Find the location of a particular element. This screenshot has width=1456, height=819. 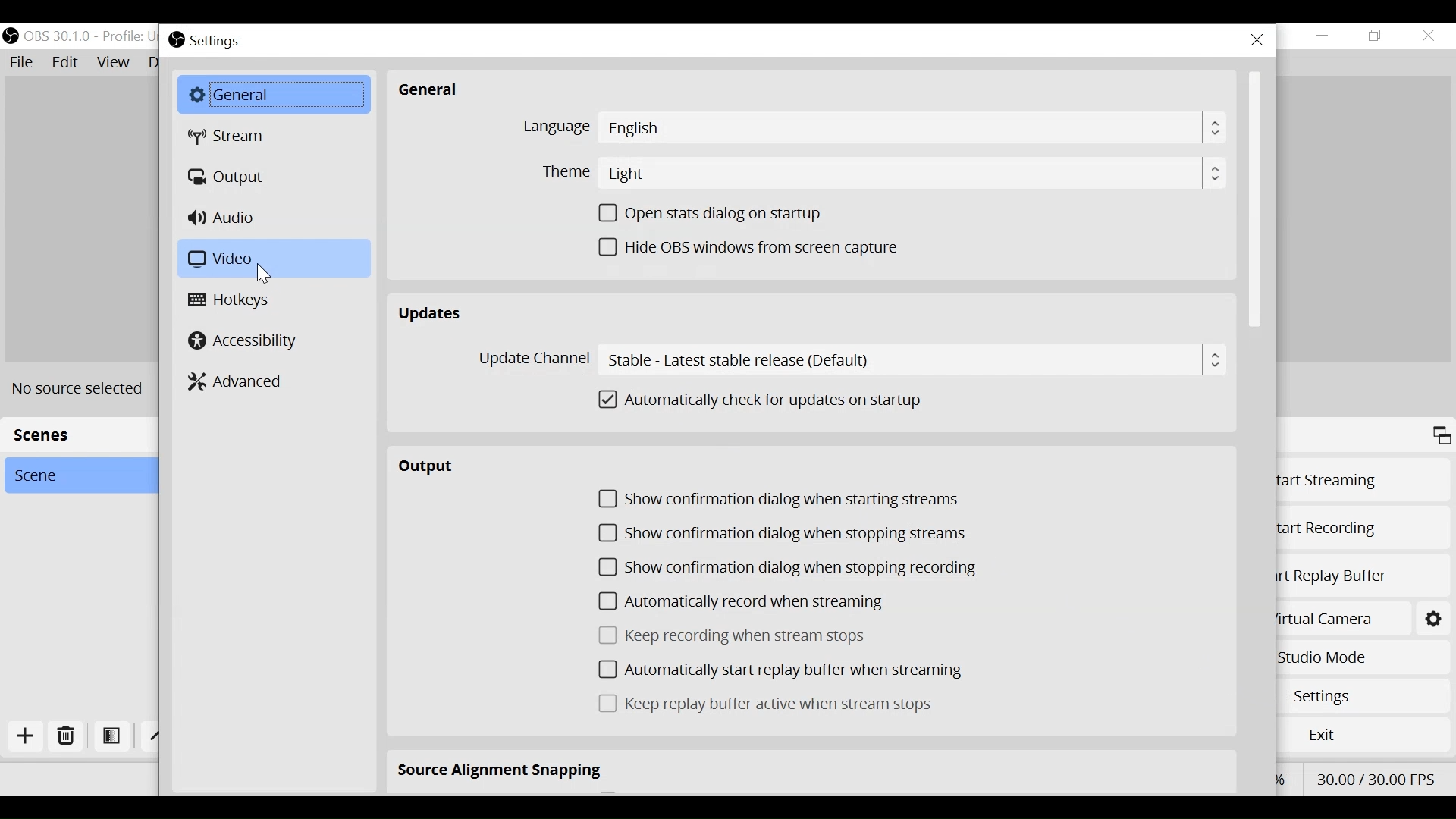

General is located at coordinates (430, 89).